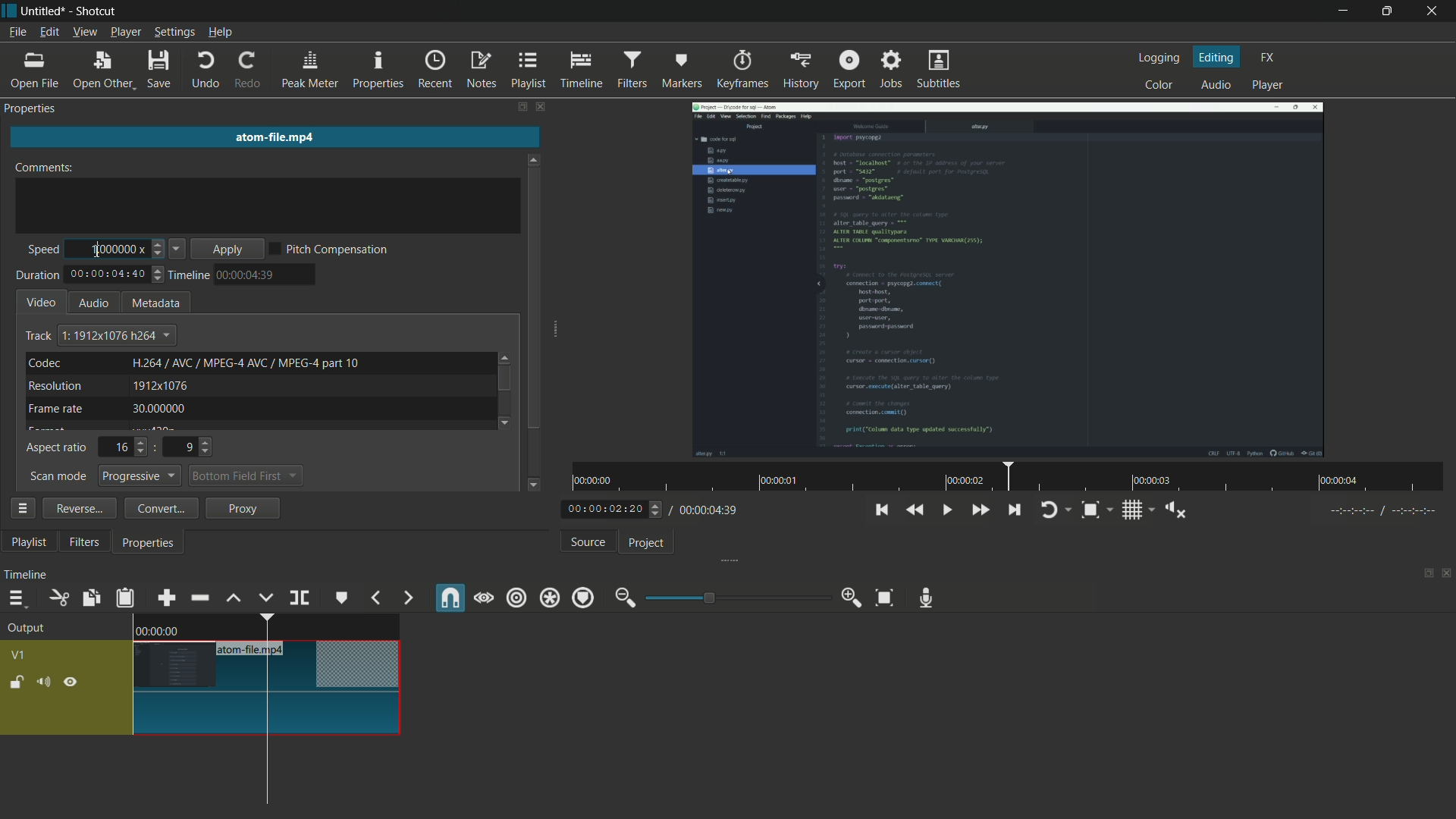  Describe the element at coordinates (33, 72) in the screenshot. I see `open file` at that location.